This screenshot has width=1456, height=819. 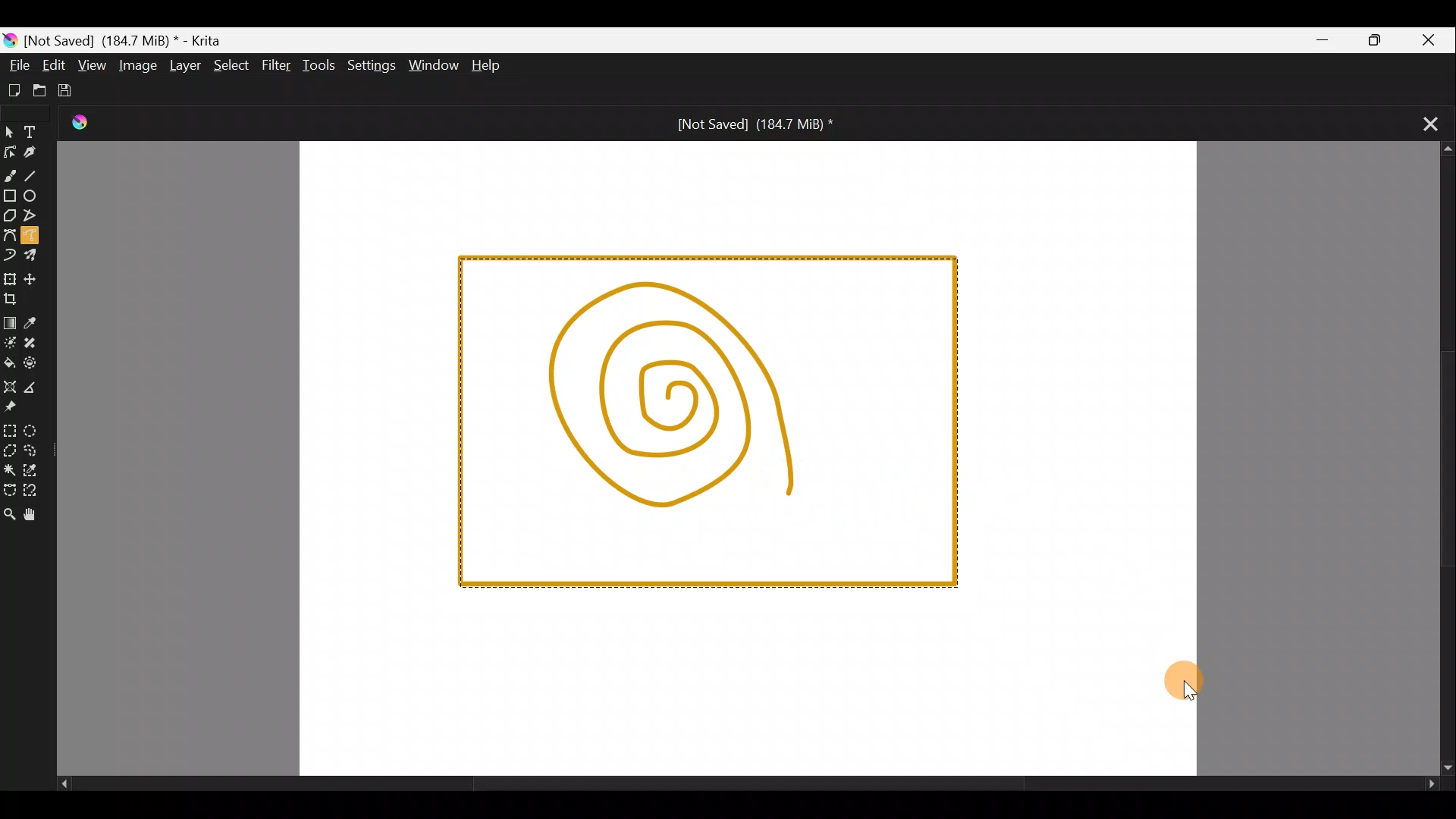 What do you see at coordinates (33, 175) in the screenshot?
I see `Line tool` at bounding box center [33, 175].